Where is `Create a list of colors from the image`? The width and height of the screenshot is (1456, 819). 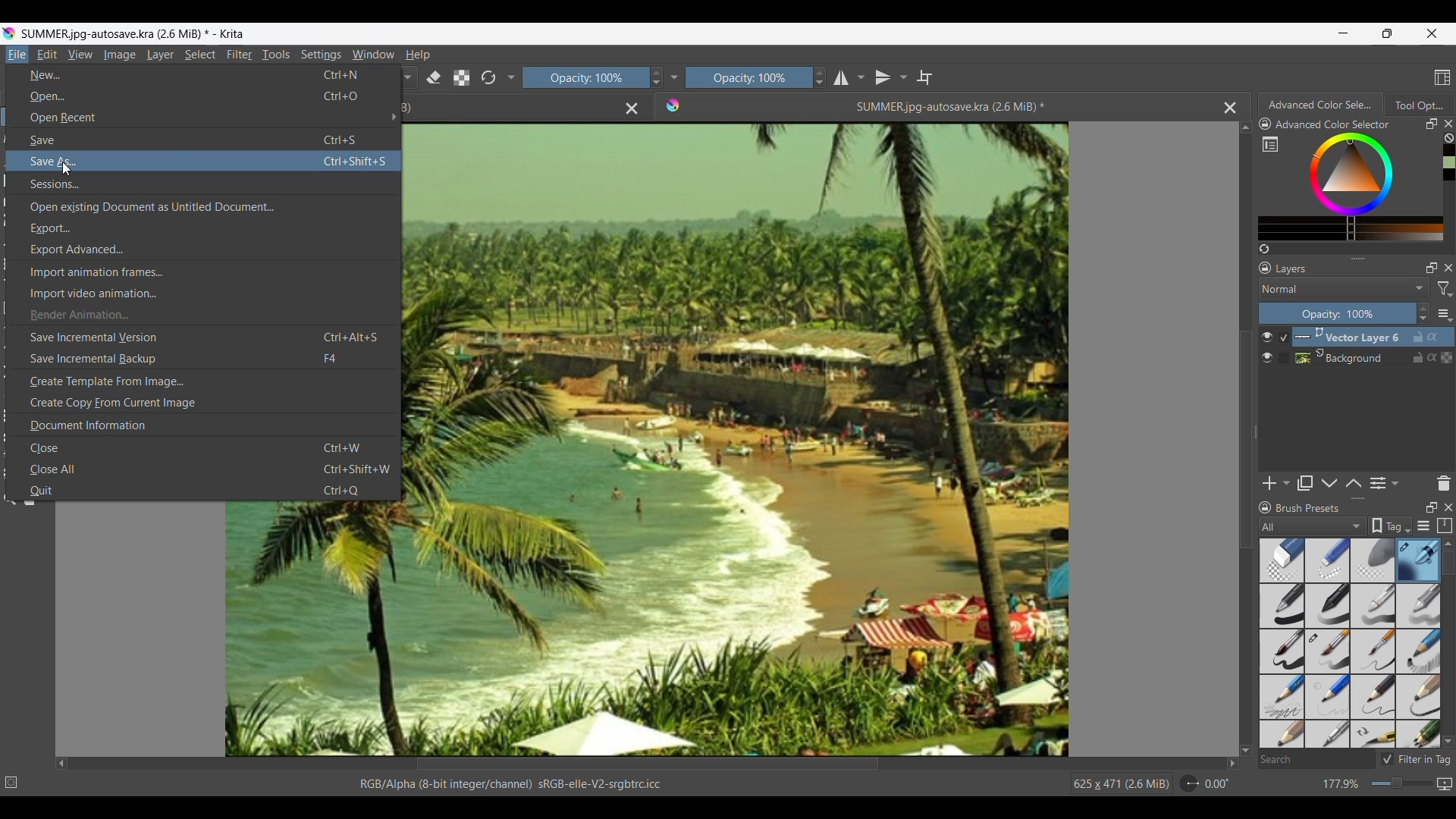
Create a list of colors from the image is located at coordinates (1265, 249).